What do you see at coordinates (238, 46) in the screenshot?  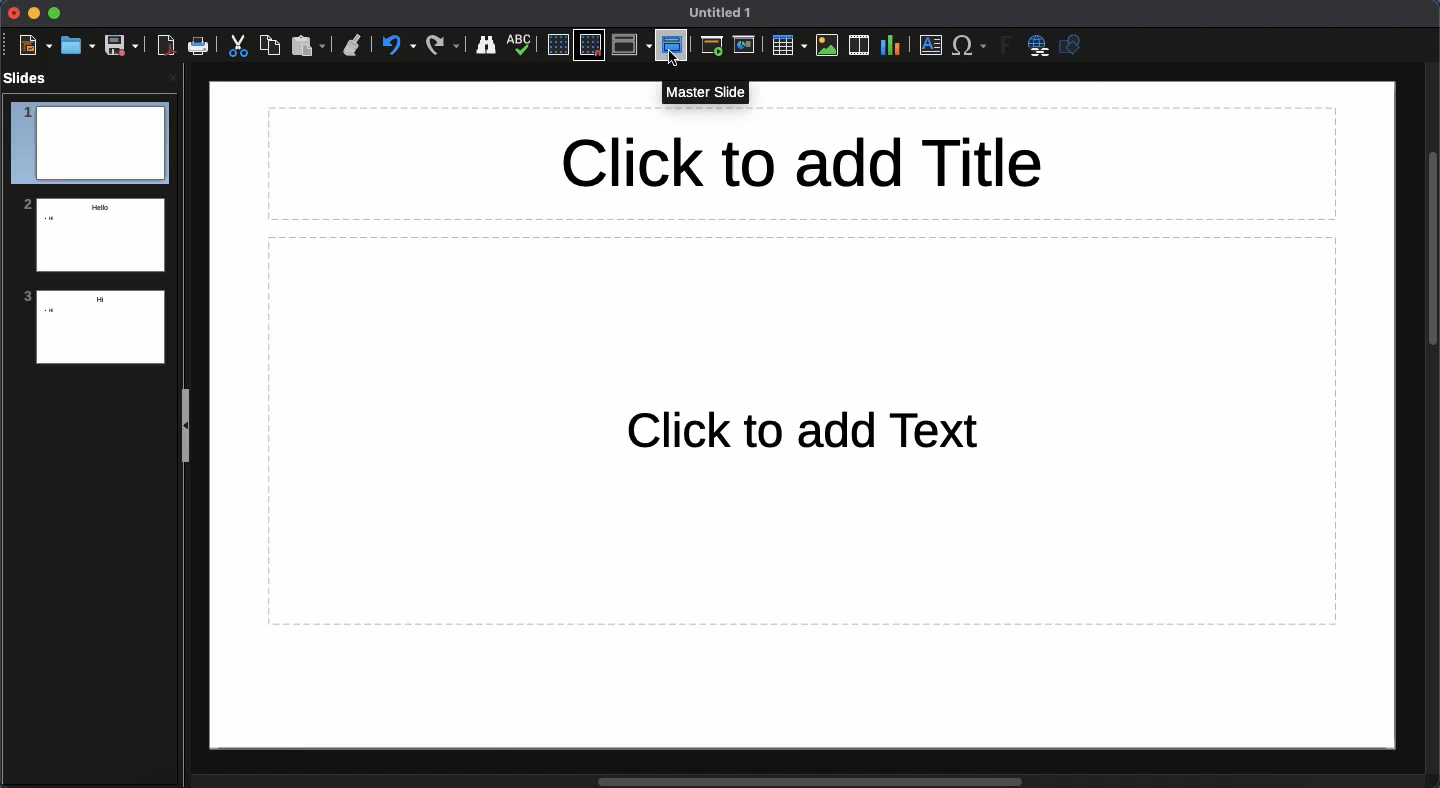 I see `Cut` at bounding box center [238, 46].